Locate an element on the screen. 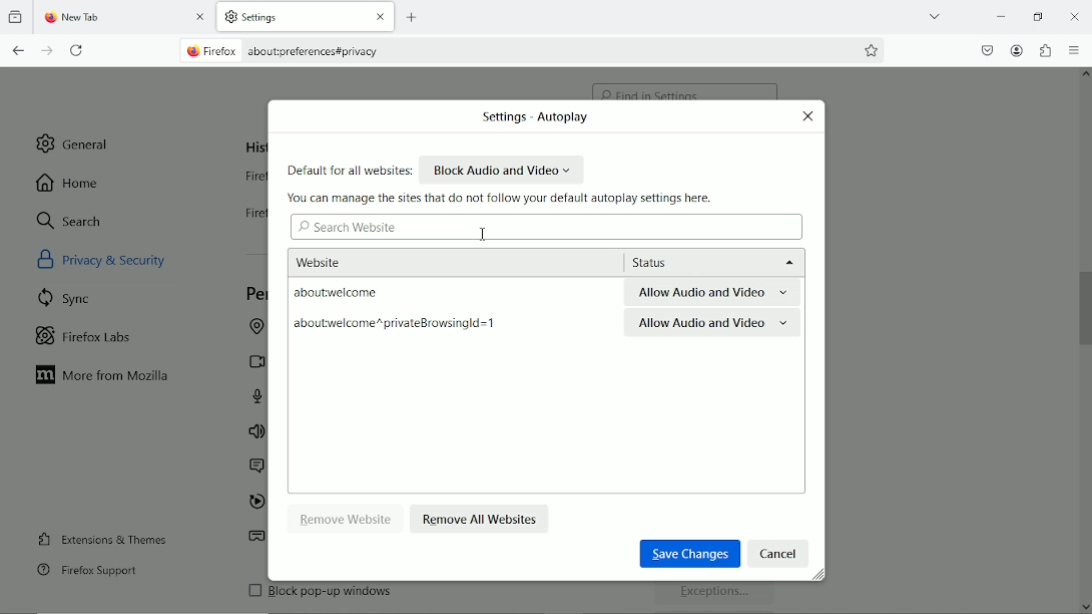  save to pocket is located at coordinates (986, 48).